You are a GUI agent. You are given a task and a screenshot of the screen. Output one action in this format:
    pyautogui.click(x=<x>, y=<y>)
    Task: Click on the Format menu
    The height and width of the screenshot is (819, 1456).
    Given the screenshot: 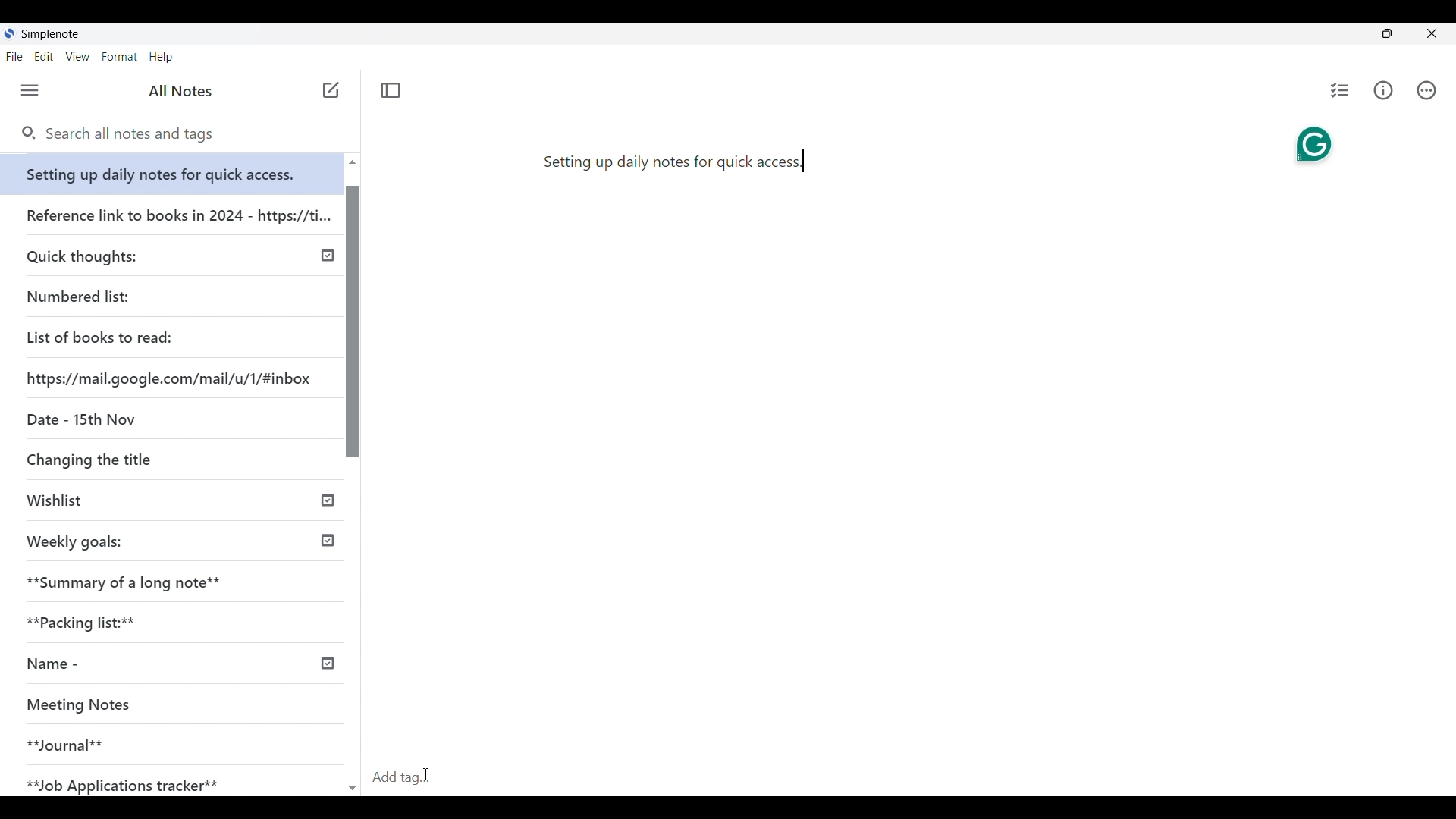 What is the action you would take?
    pyautogui.click(x=120, y=57)
    